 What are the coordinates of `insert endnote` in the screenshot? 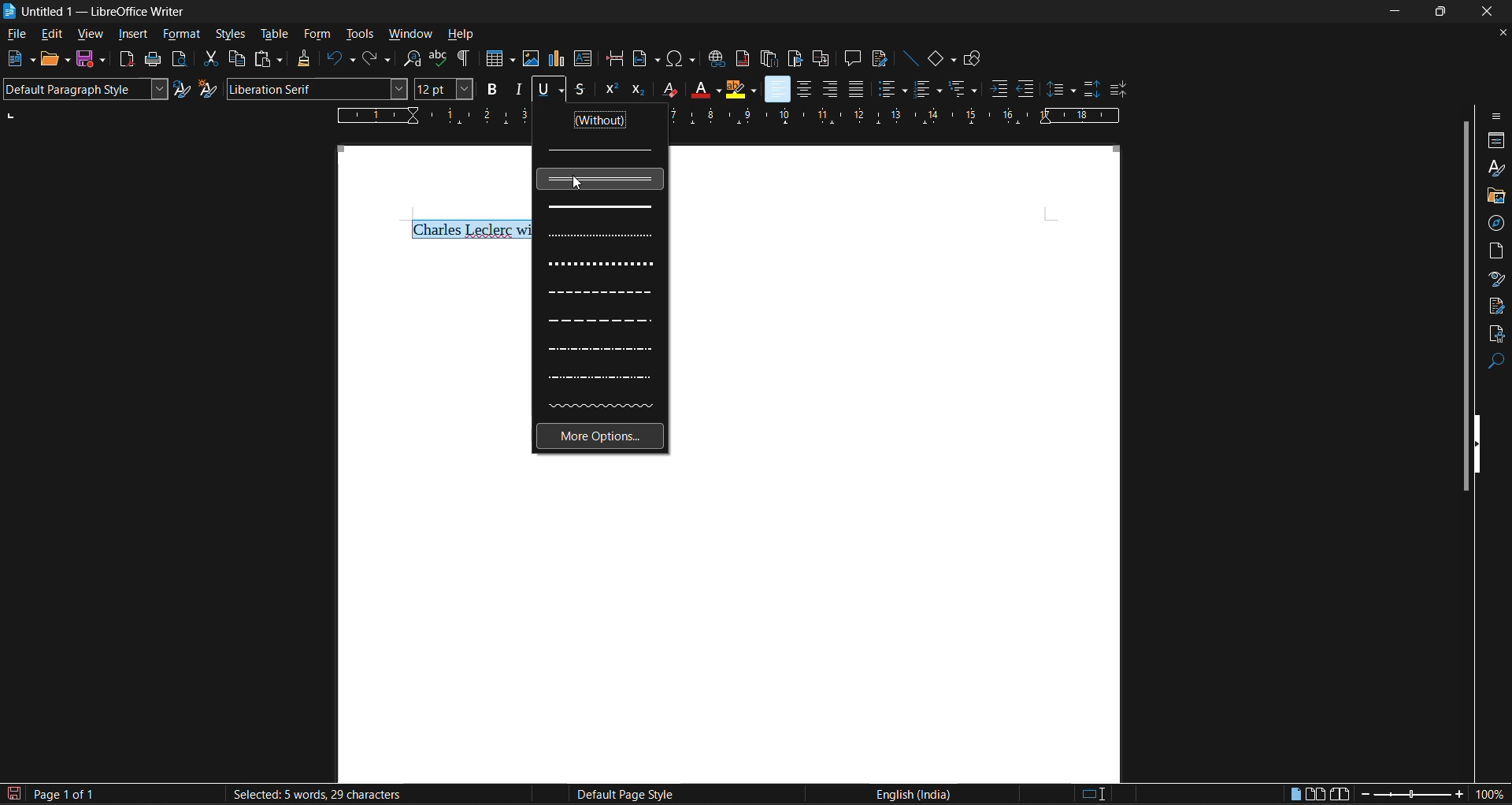 It's located at (770, 60).